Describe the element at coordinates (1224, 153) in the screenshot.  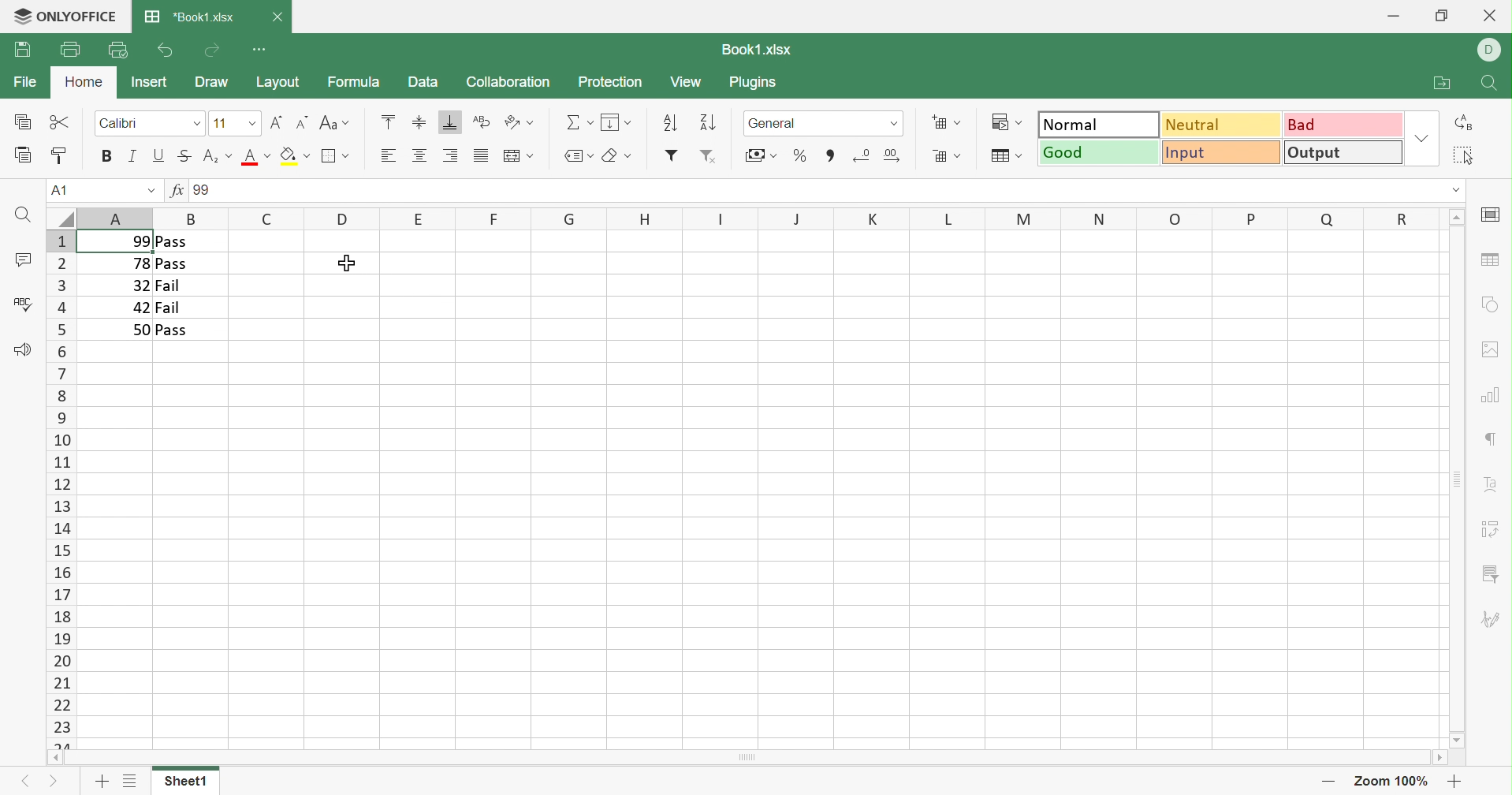
I see `Input` at that location.